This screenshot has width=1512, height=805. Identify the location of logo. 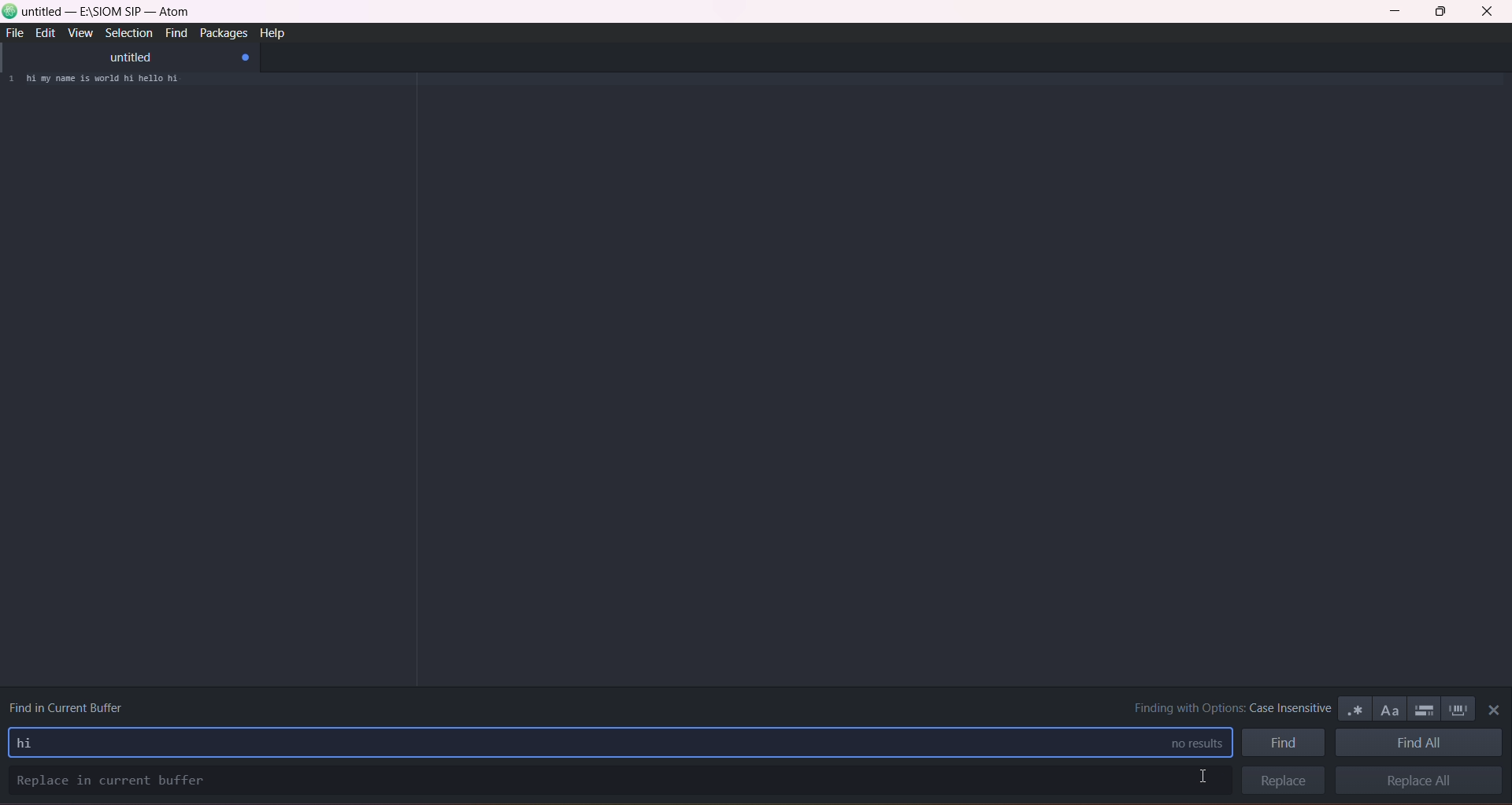
(10, 13).